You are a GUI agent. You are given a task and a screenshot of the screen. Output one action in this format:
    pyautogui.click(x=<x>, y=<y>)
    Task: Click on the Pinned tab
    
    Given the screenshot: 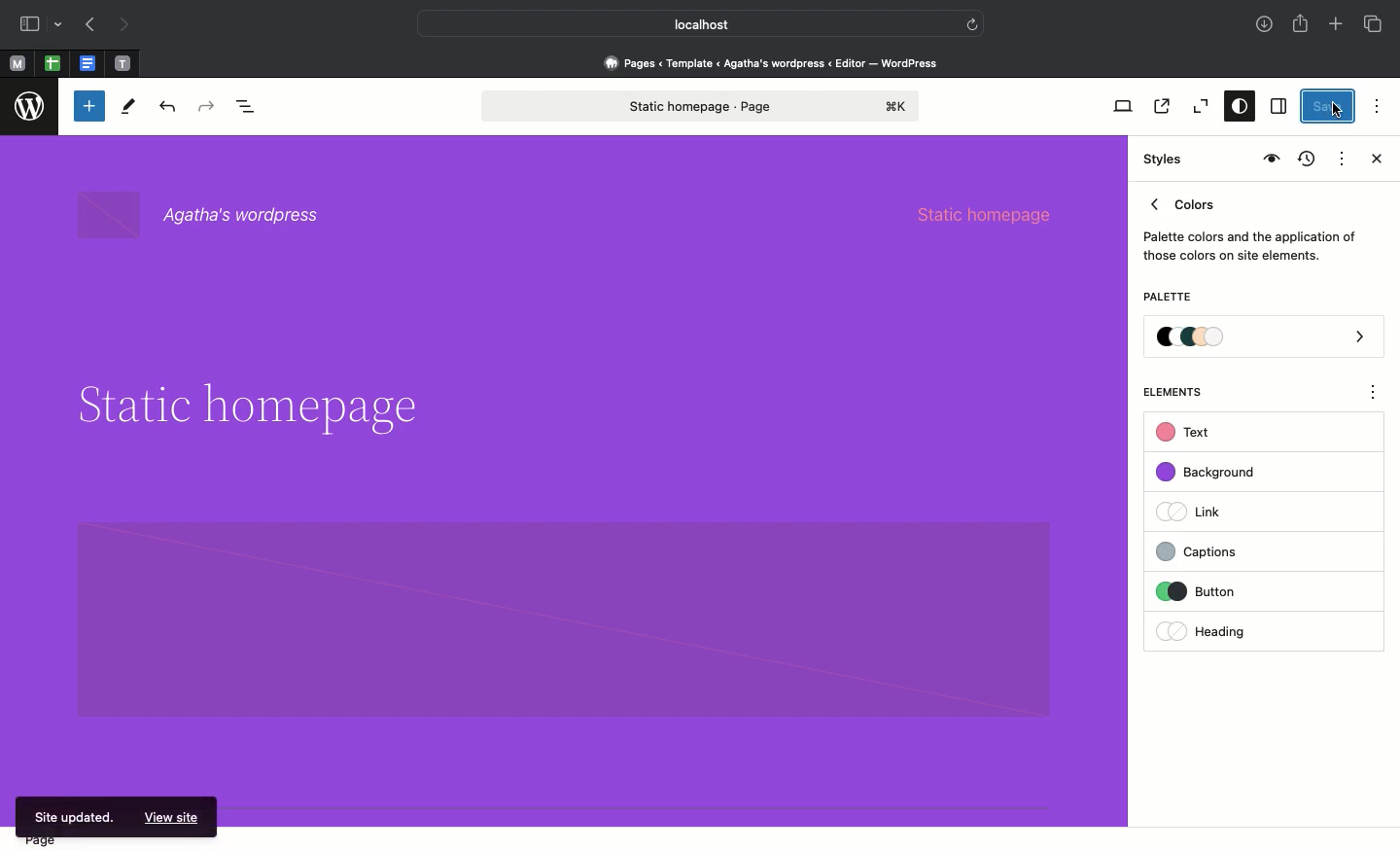 What is the action you would take?
    pyautogui.click(x=89, y=64)
    